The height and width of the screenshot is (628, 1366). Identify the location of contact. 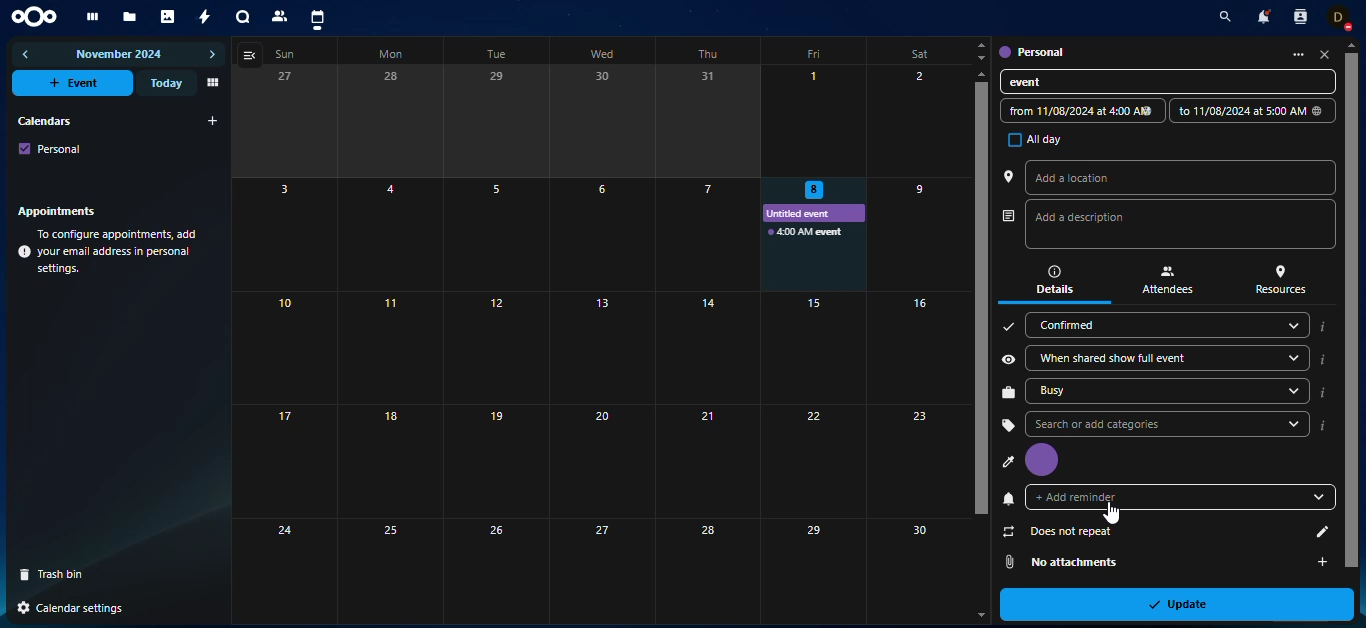
(1299, 17).